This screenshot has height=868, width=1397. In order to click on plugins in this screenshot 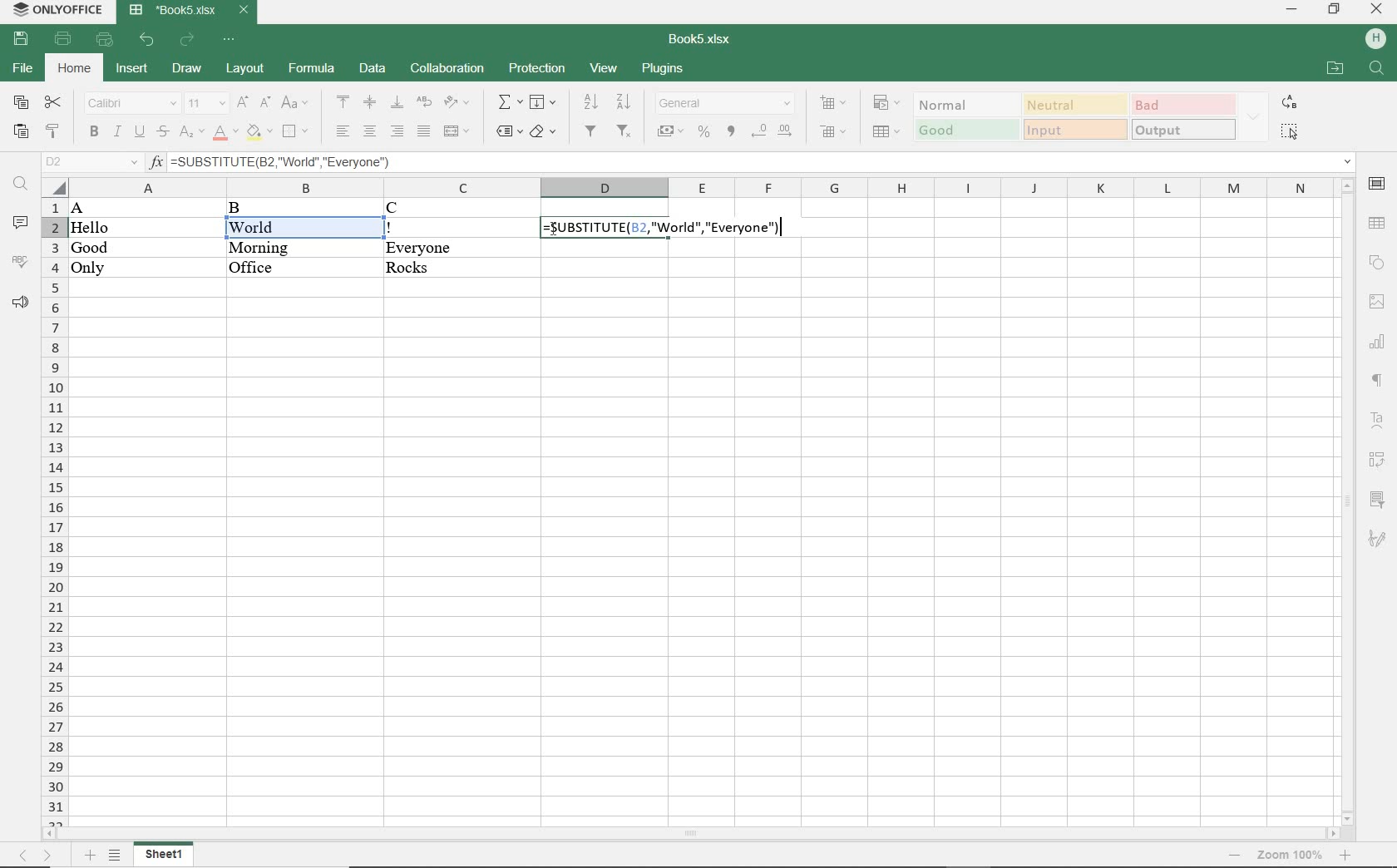, I will do `click(663, 70)`.